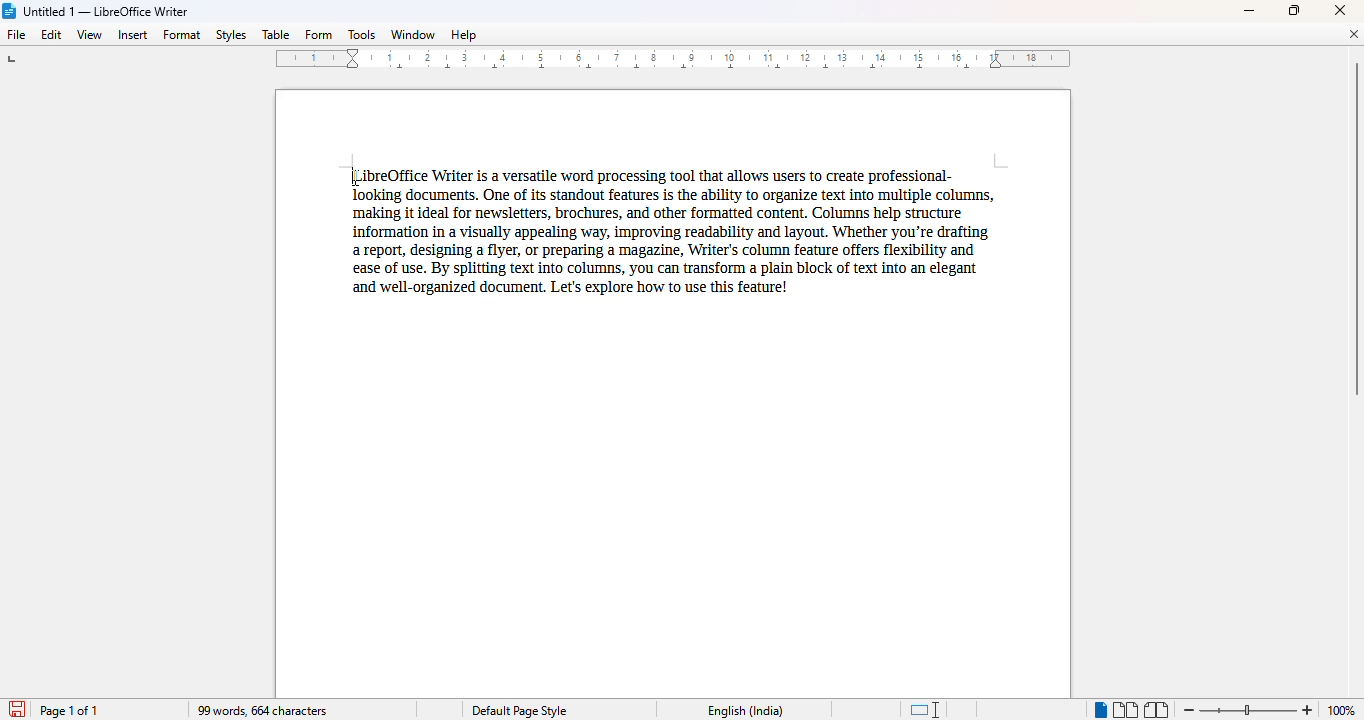 This screenshot has width=1364, height=720. Describe the element at coordinates (17, 61) in the screenshot. I see `tab stop` at that location.